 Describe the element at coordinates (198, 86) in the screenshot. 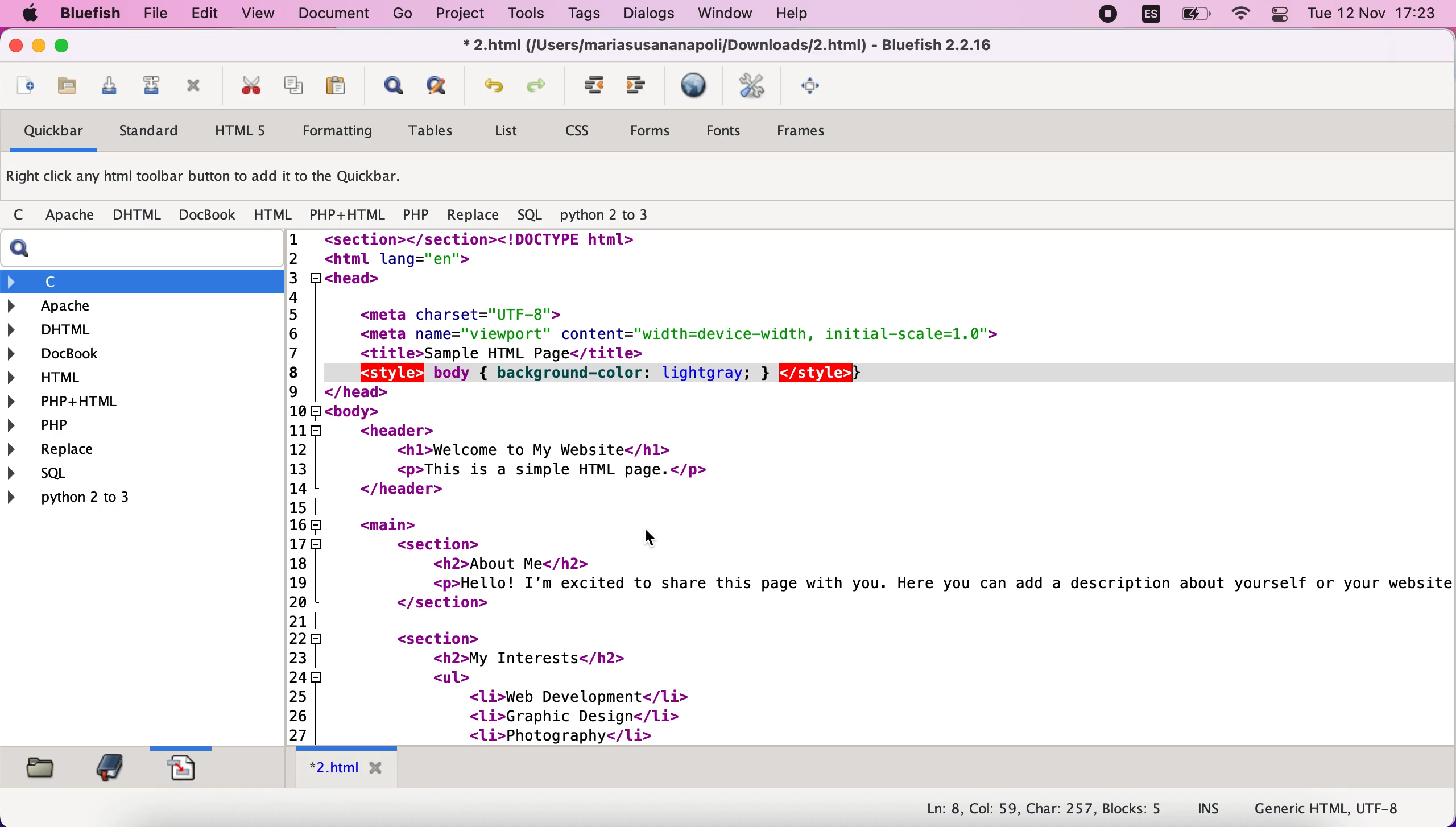

I see `close current file` at that location.